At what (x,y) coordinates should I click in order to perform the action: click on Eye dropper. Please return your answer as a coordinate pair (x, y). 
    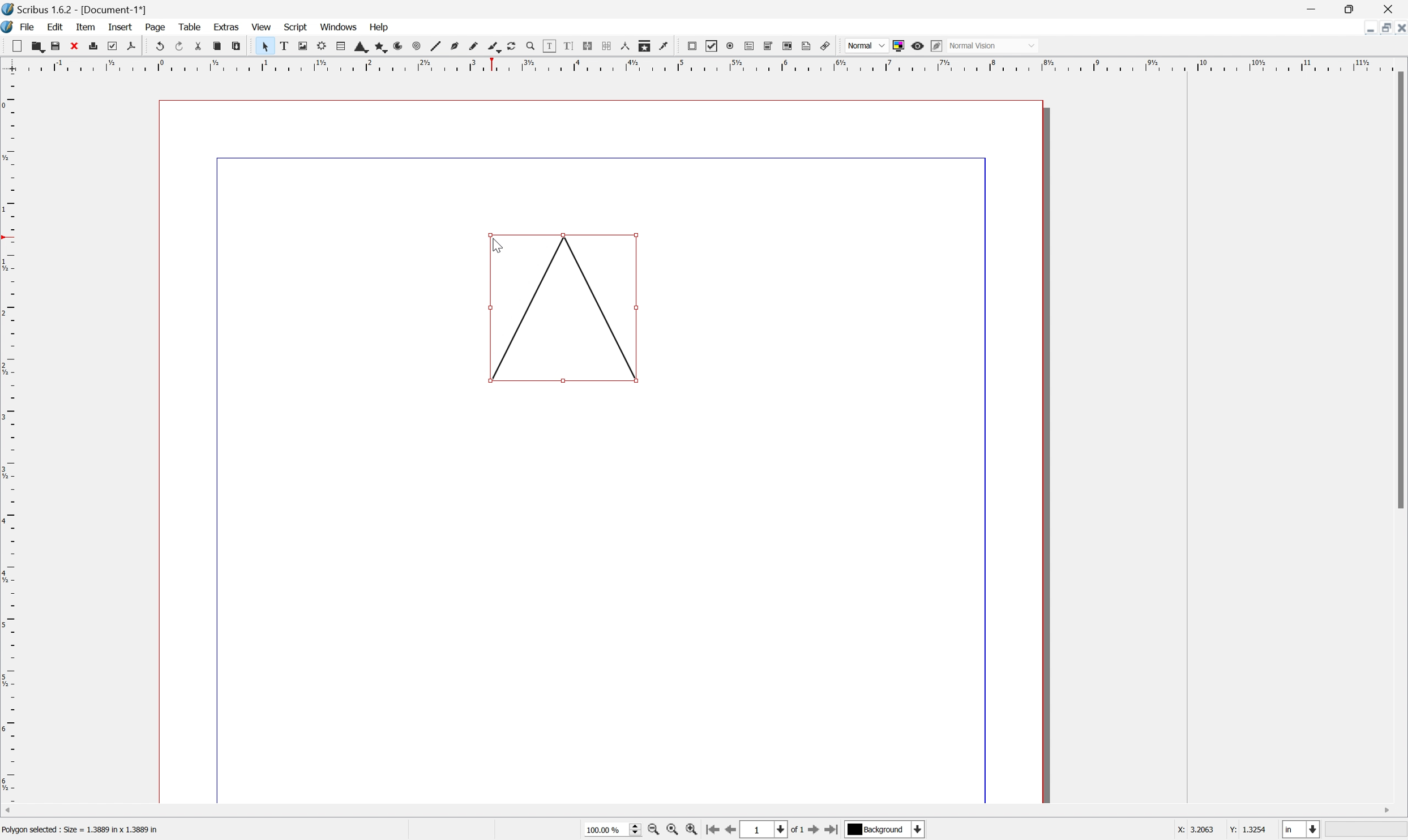
    Looking at the image, I should click on (667, 46).